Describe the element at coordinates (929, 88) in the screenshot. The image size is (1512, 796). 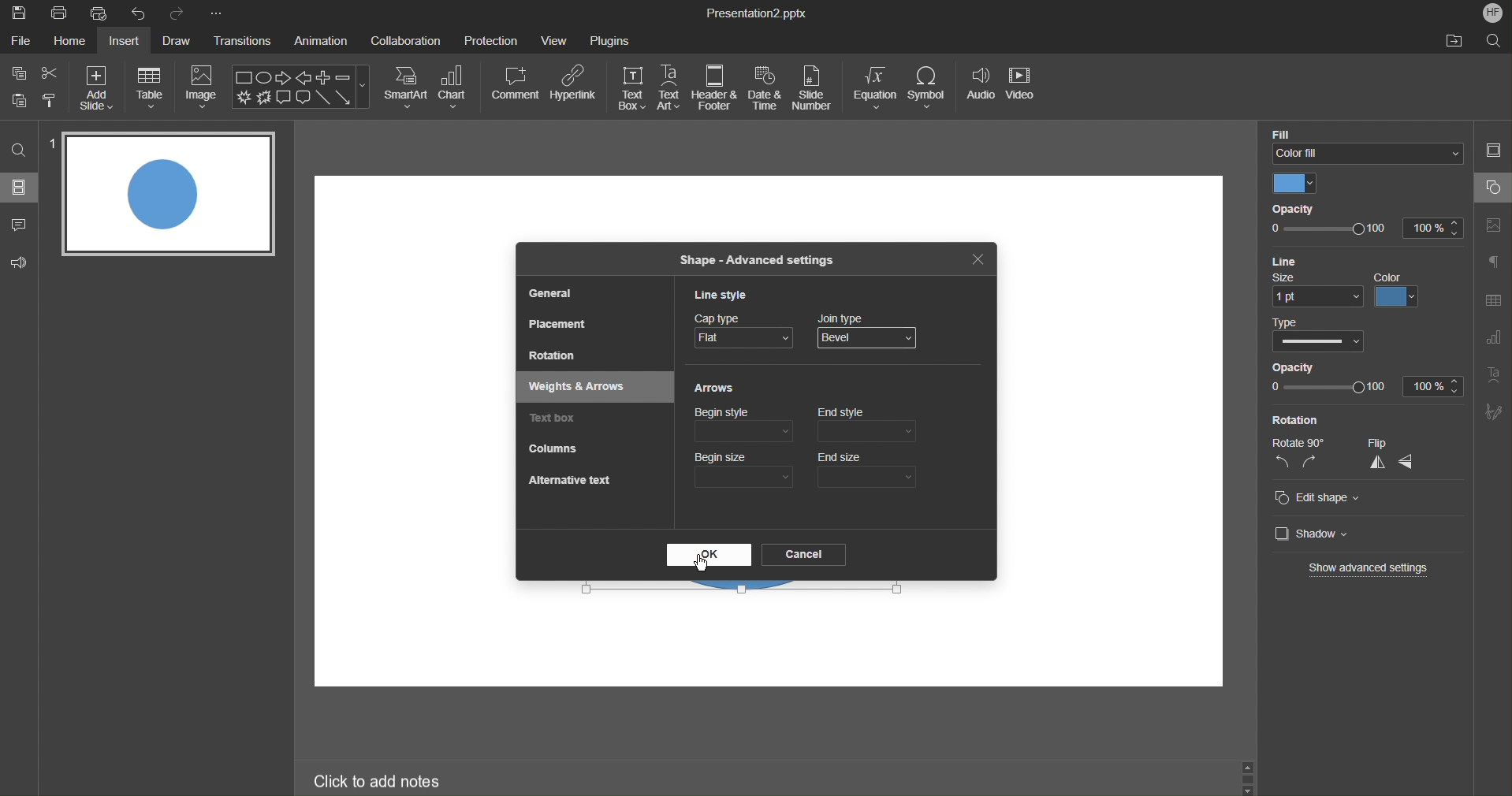
I see `Symbol` at that location.